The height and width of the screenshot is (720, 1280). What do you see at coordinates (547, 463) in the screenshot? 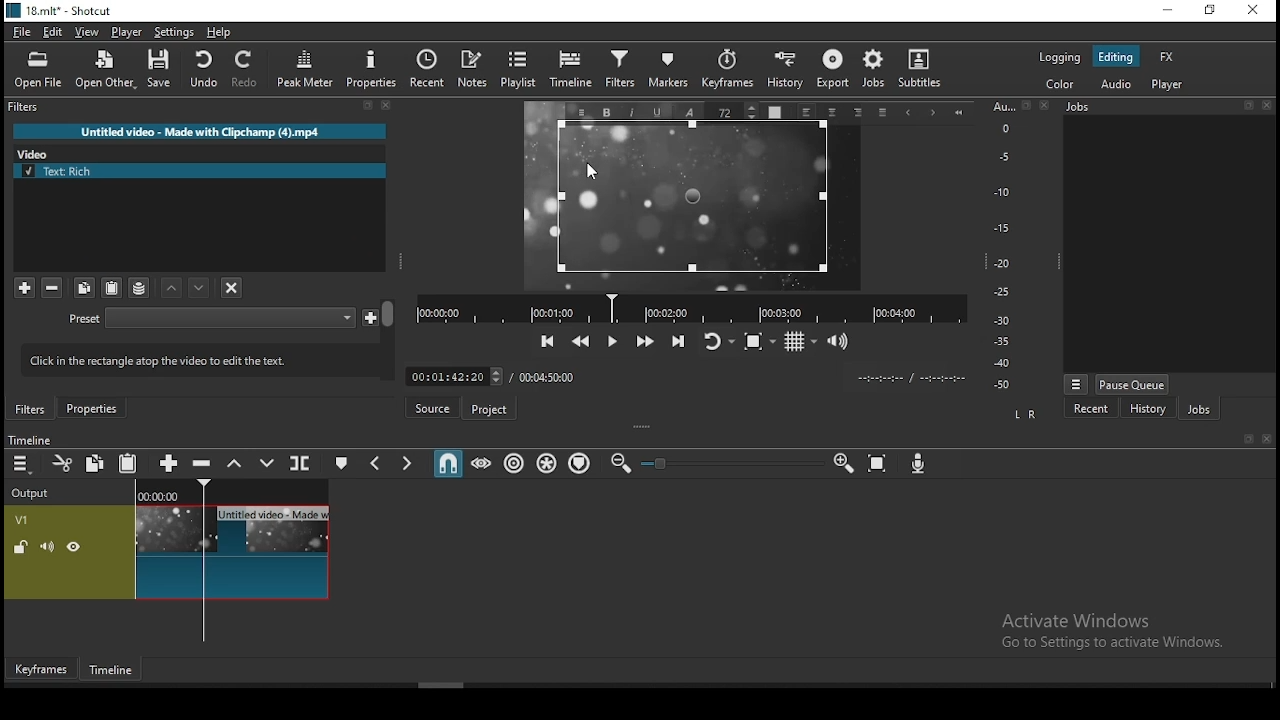
I see `ripple all tracks` at bounding box center [547, 463].